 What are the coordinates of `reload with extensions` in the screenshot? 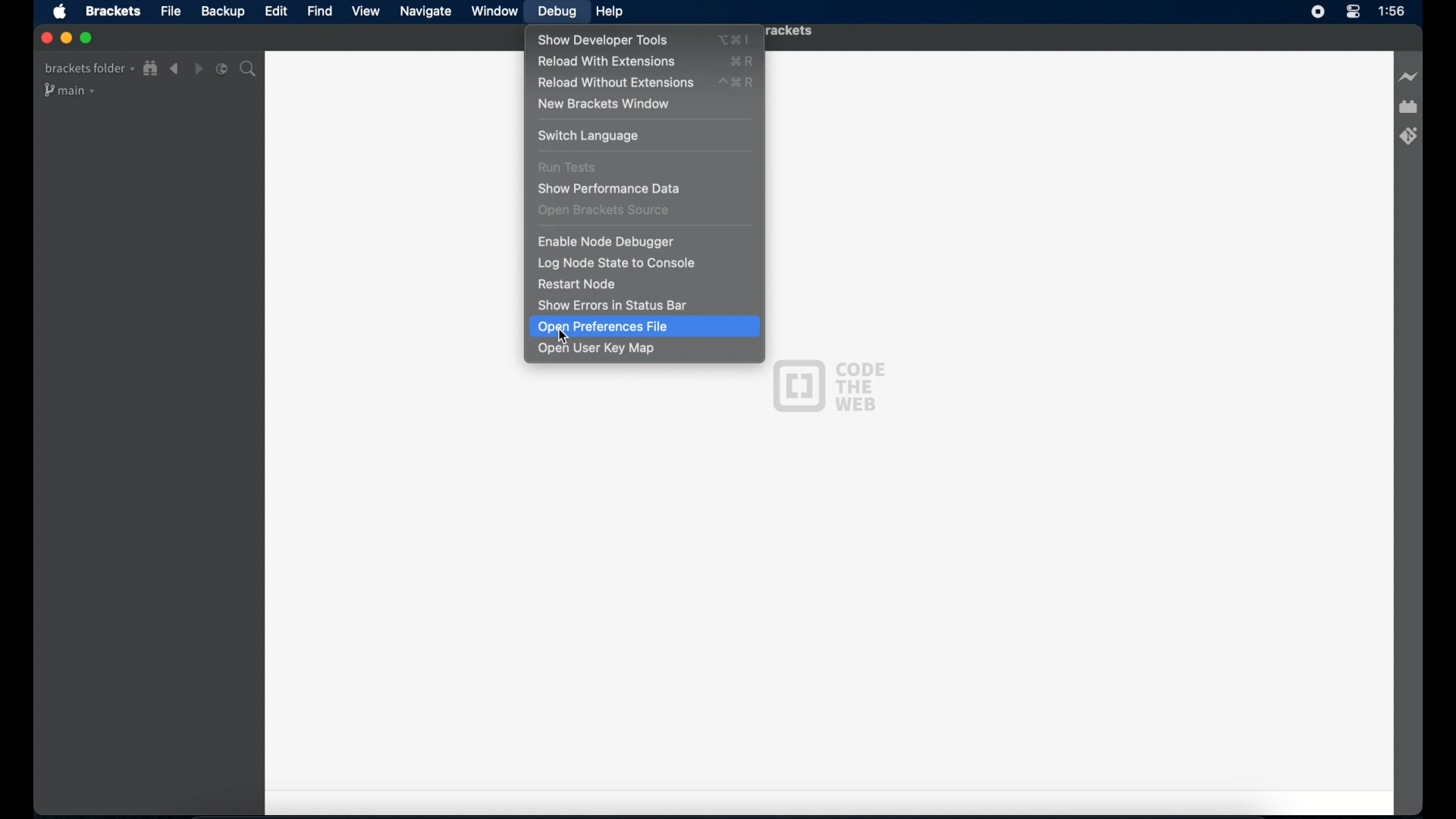 It's located at (617, 61).